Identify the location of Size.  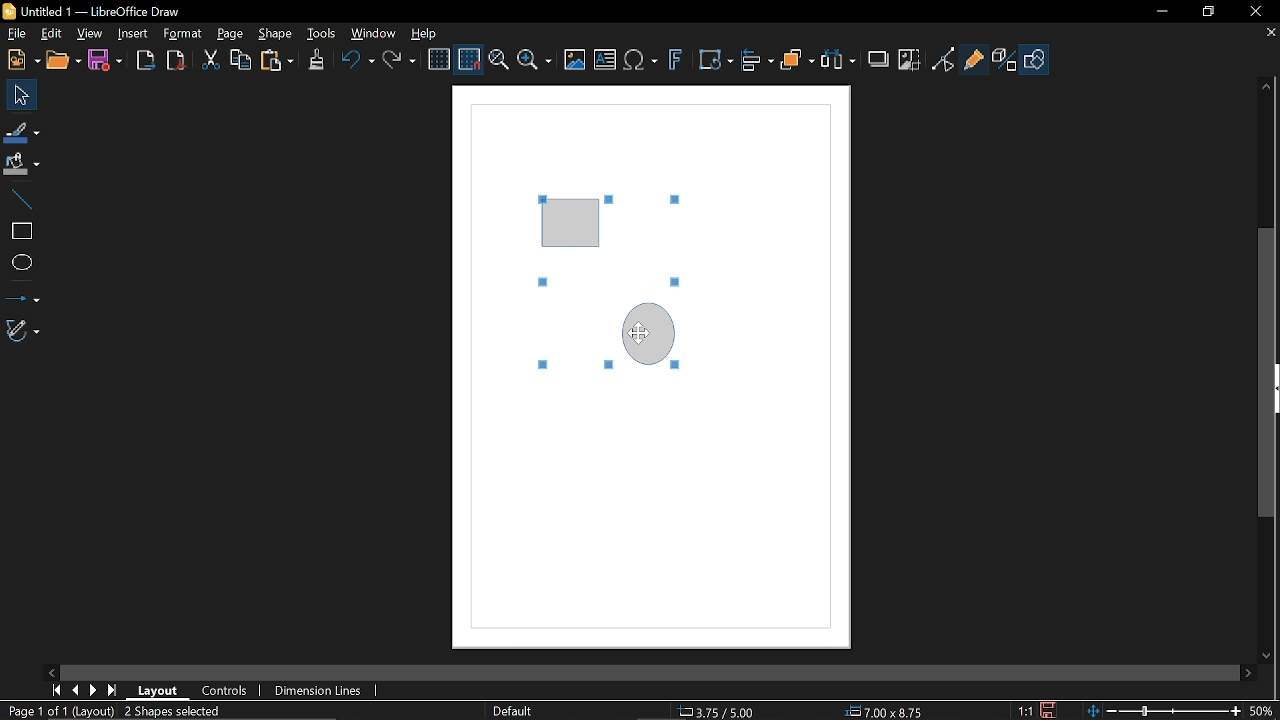
(891, 712).